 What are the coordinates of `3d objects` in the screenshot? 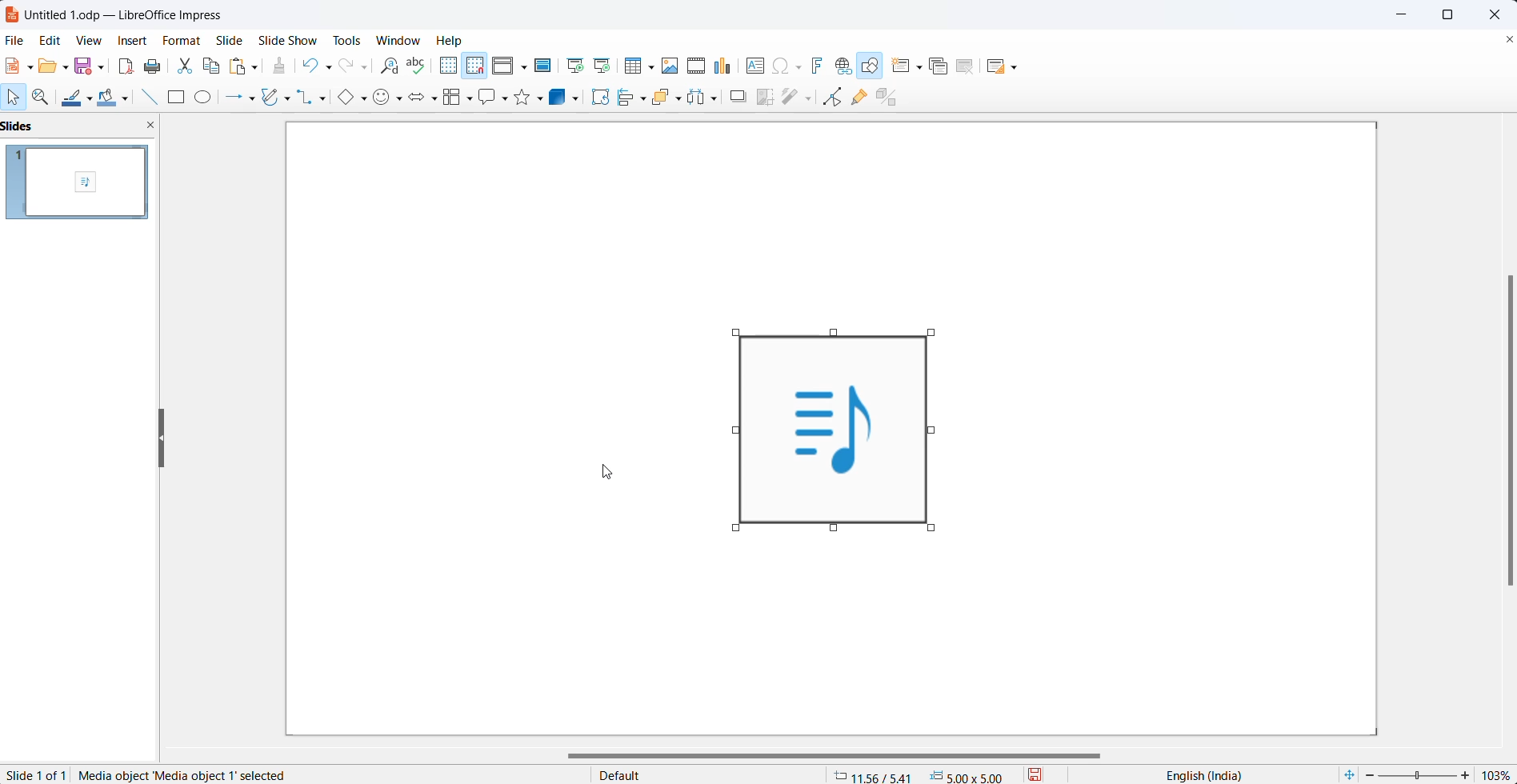 It's located at (561, 98).